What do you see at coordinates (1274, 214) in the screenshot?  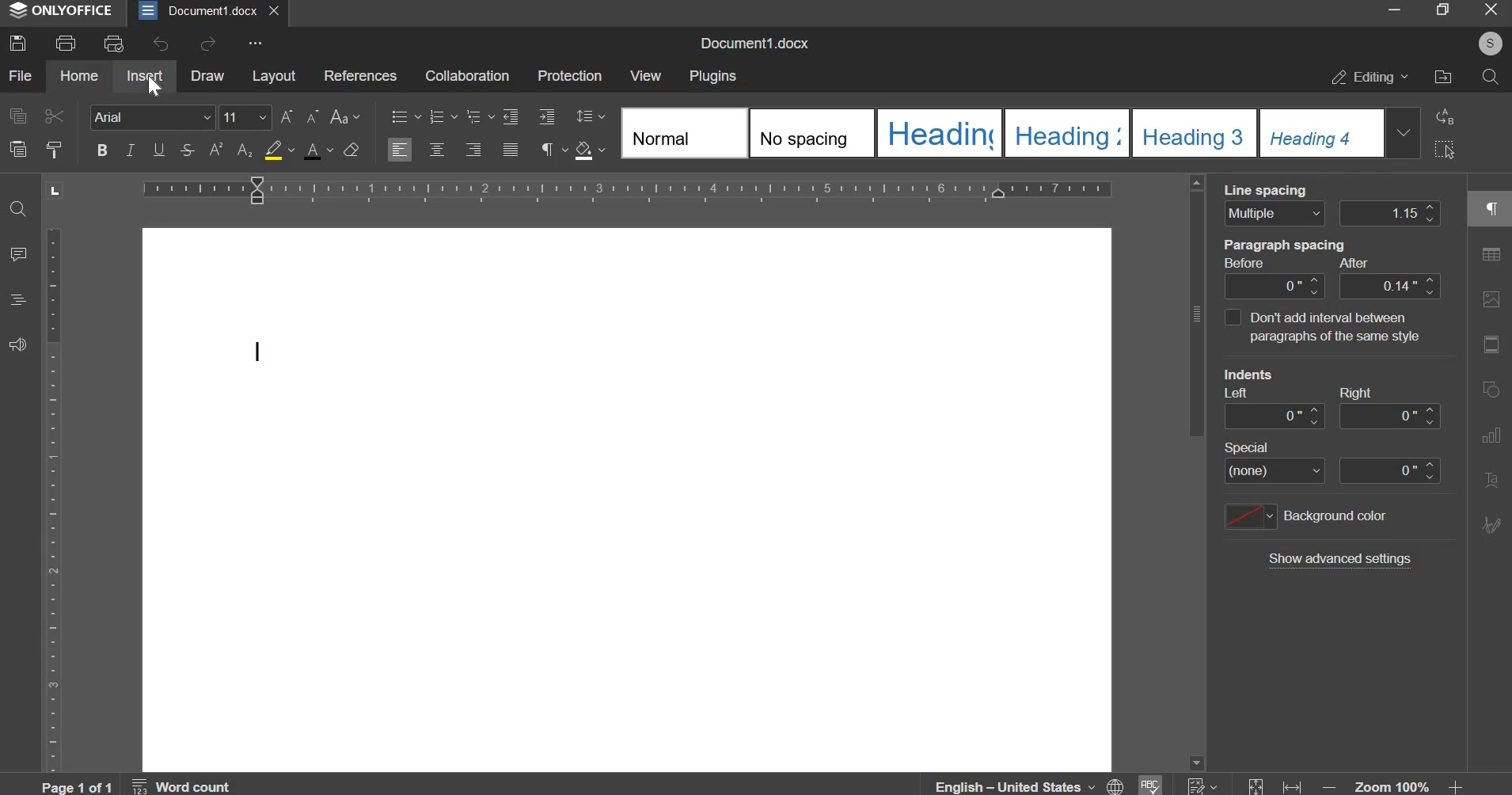 I see `line spacing` at bounding box center [1274, 214].